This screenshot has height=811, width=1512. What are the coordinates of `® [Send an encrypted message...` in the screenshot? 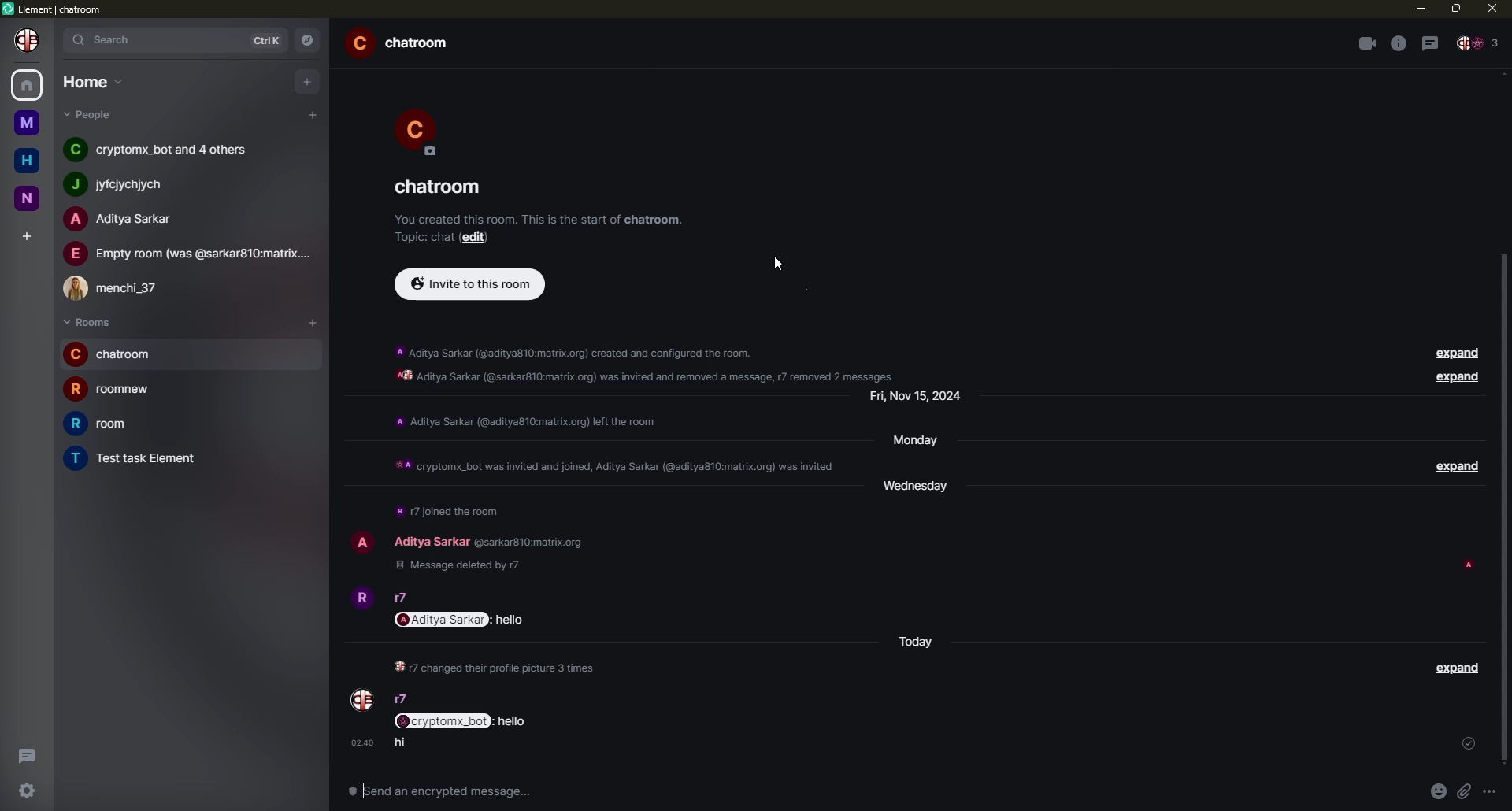 It's located at (436, 788).